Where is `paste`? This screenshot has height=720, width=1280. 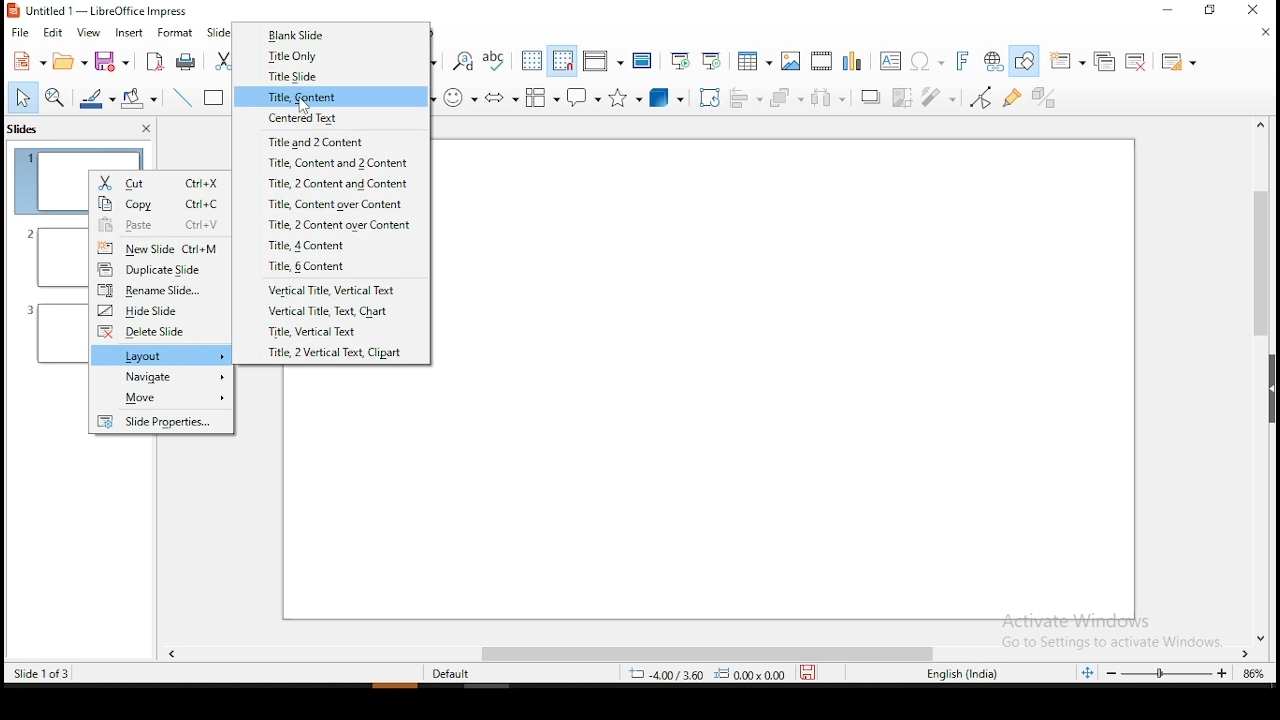 paste is located at coordinates (160, 224).